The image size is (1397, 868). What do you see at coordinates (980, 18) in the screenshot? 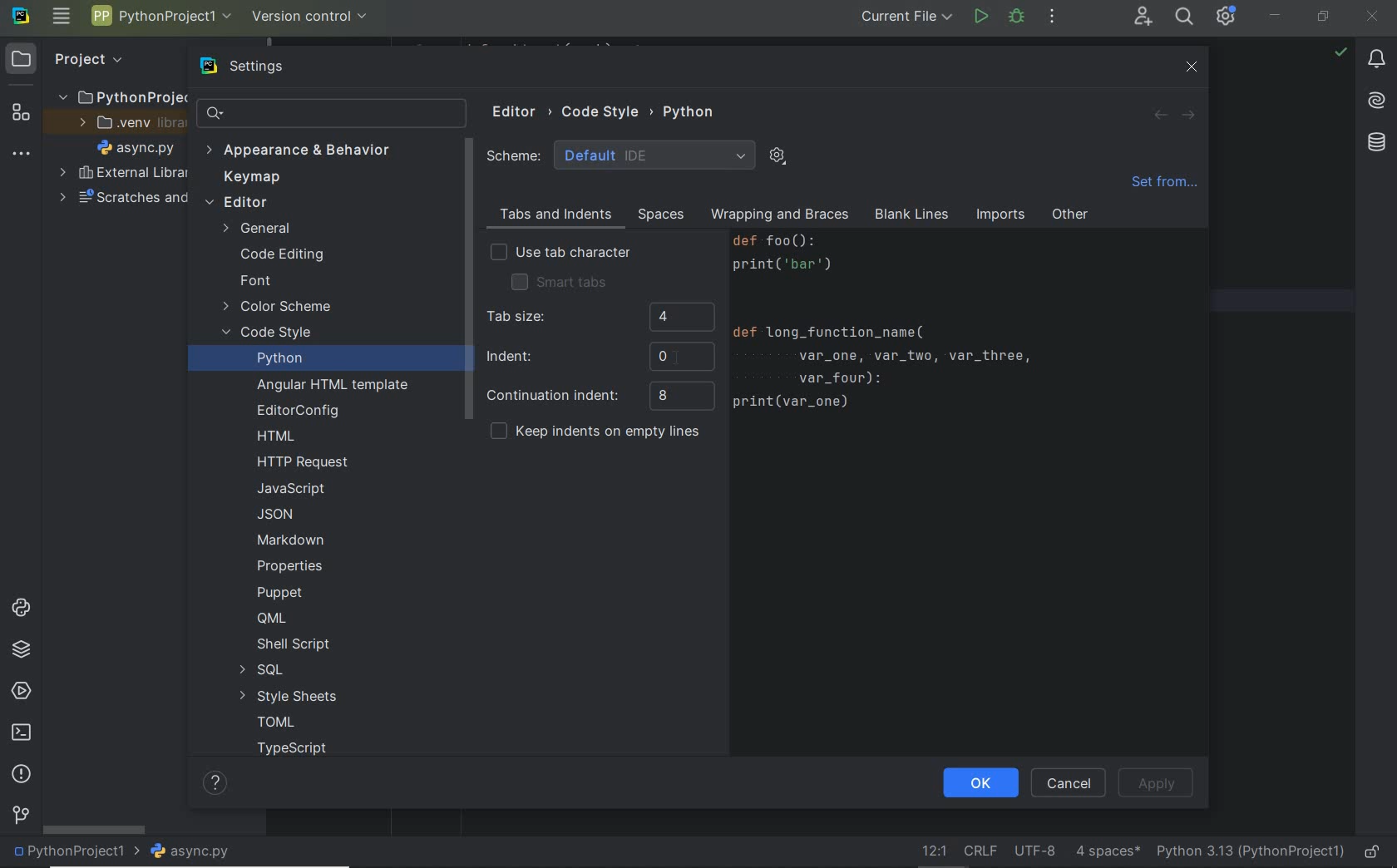
I see `run` at bounding box center [980, 18].